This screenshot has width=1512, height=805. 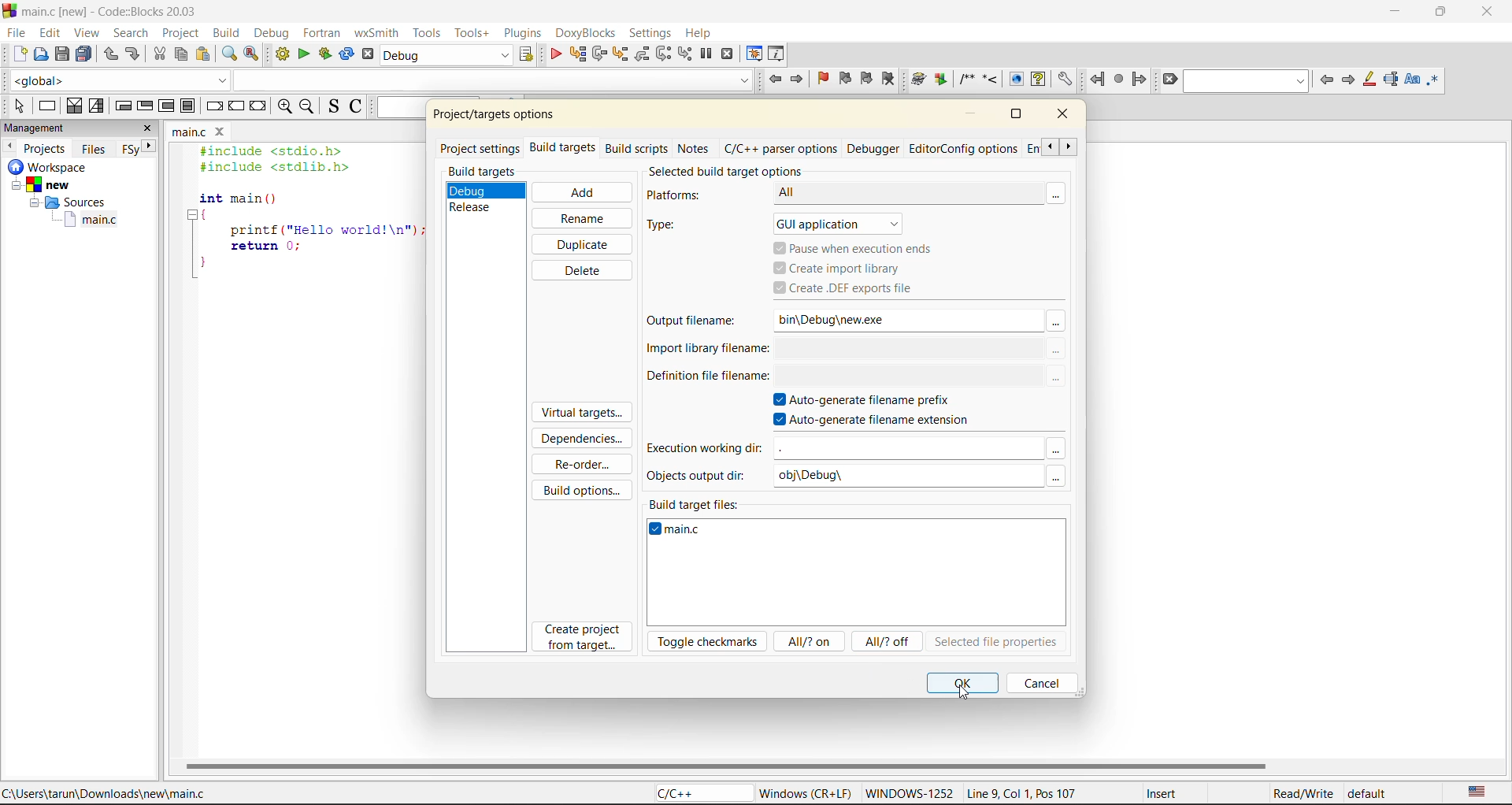 What do you see at coordinates (584, 191) in the screenshot?
I see `add` at bounding box center [584, 191].